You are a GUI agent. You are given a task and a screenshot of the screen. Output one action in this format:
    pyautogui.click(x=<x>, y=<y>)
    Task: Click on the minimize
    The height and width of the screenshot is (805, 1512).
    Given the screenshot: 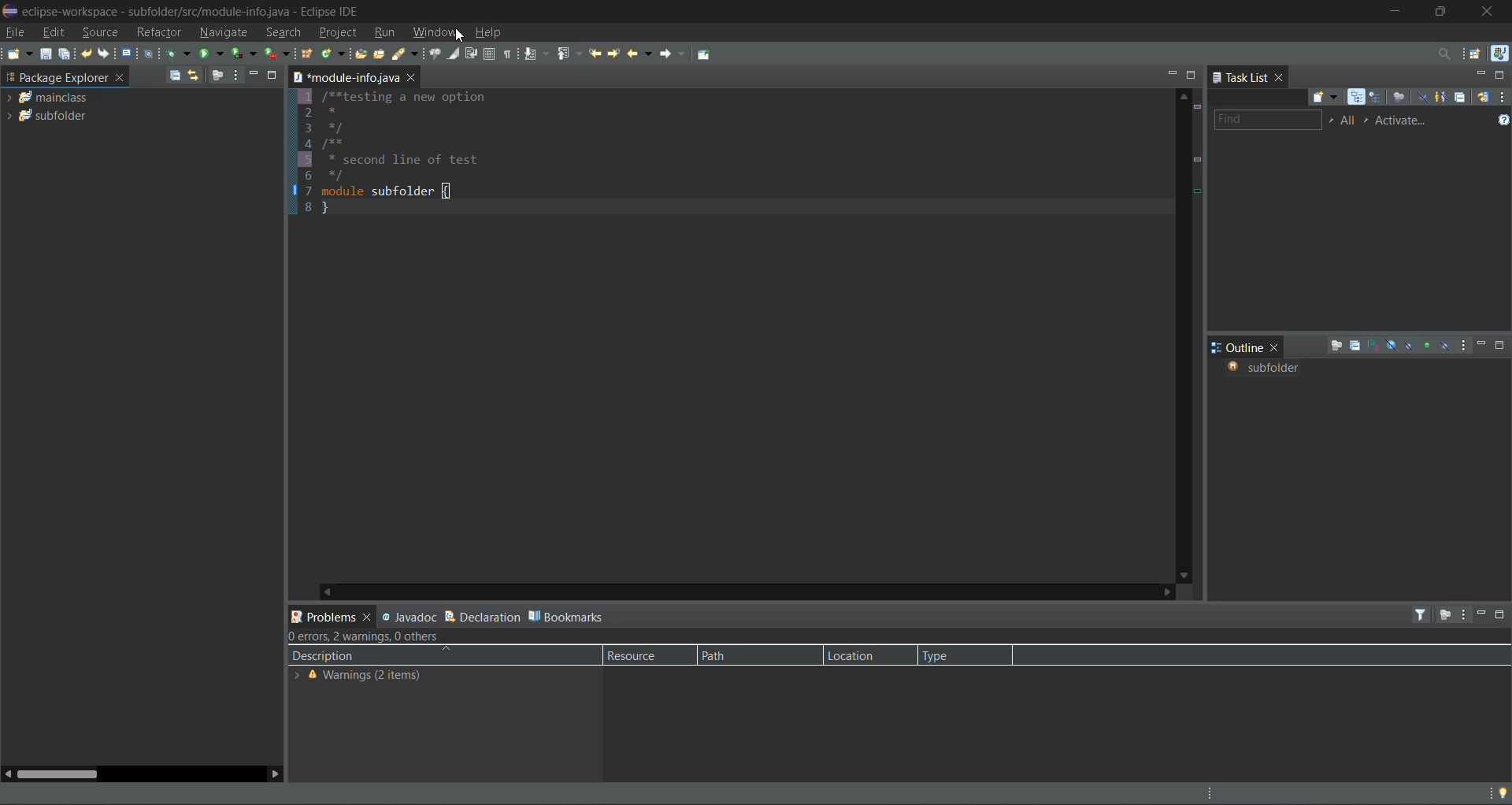 What is the action you would take?
    pyautogui.click(x=1484, y=614)
    